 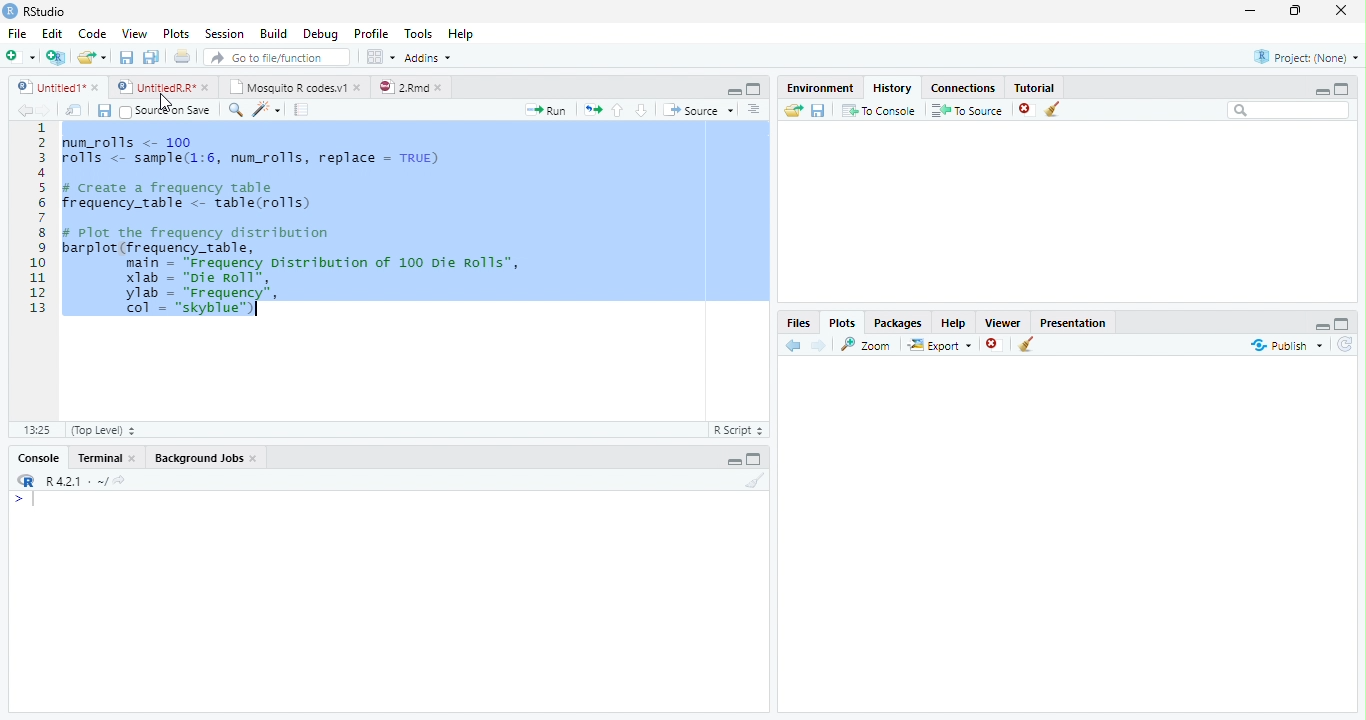 What do you see at coordinates (135, 32) in the screenshot?
I see `View` at bounding box center [135, 32].